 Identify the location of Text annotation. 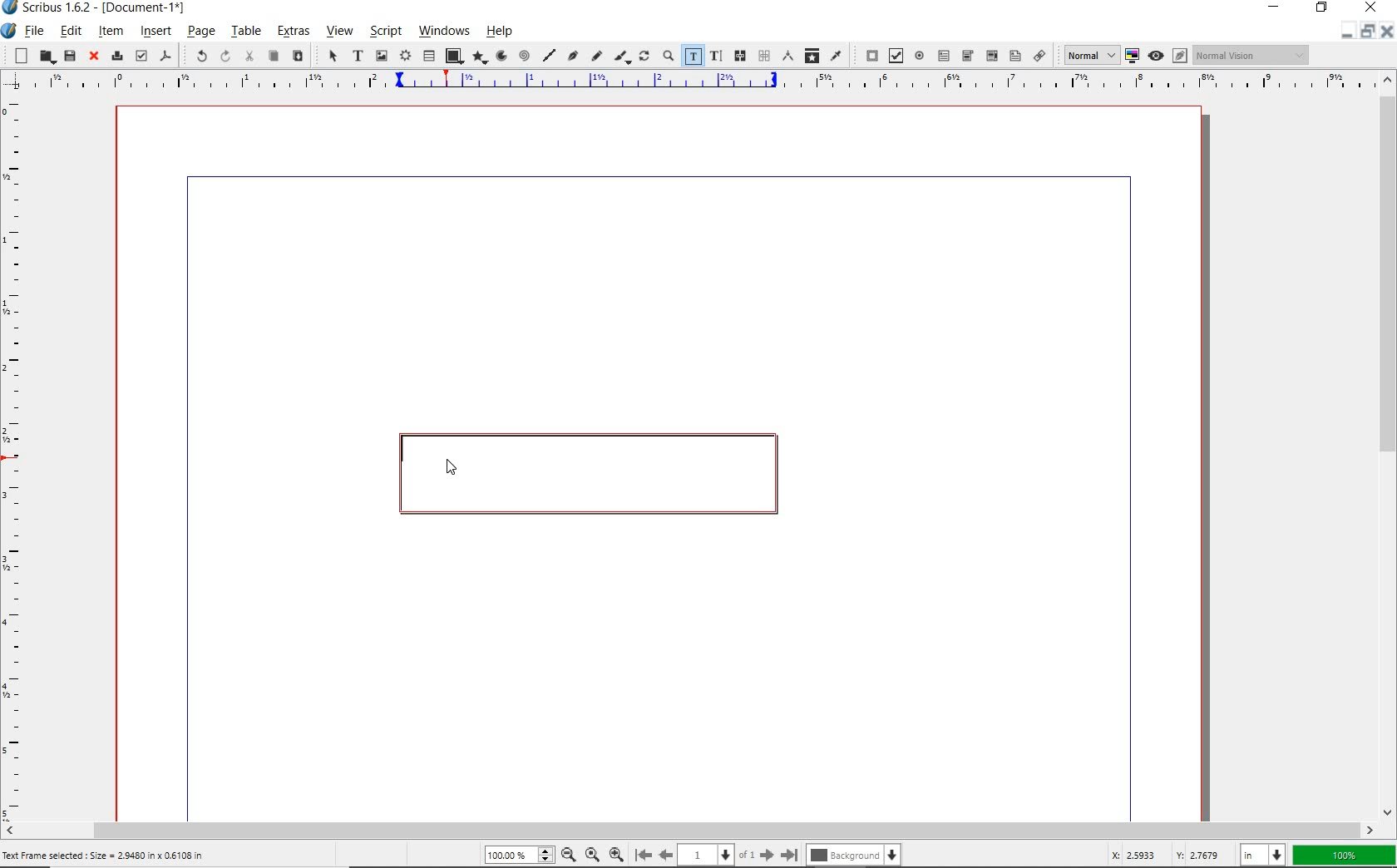
(1014, 57).